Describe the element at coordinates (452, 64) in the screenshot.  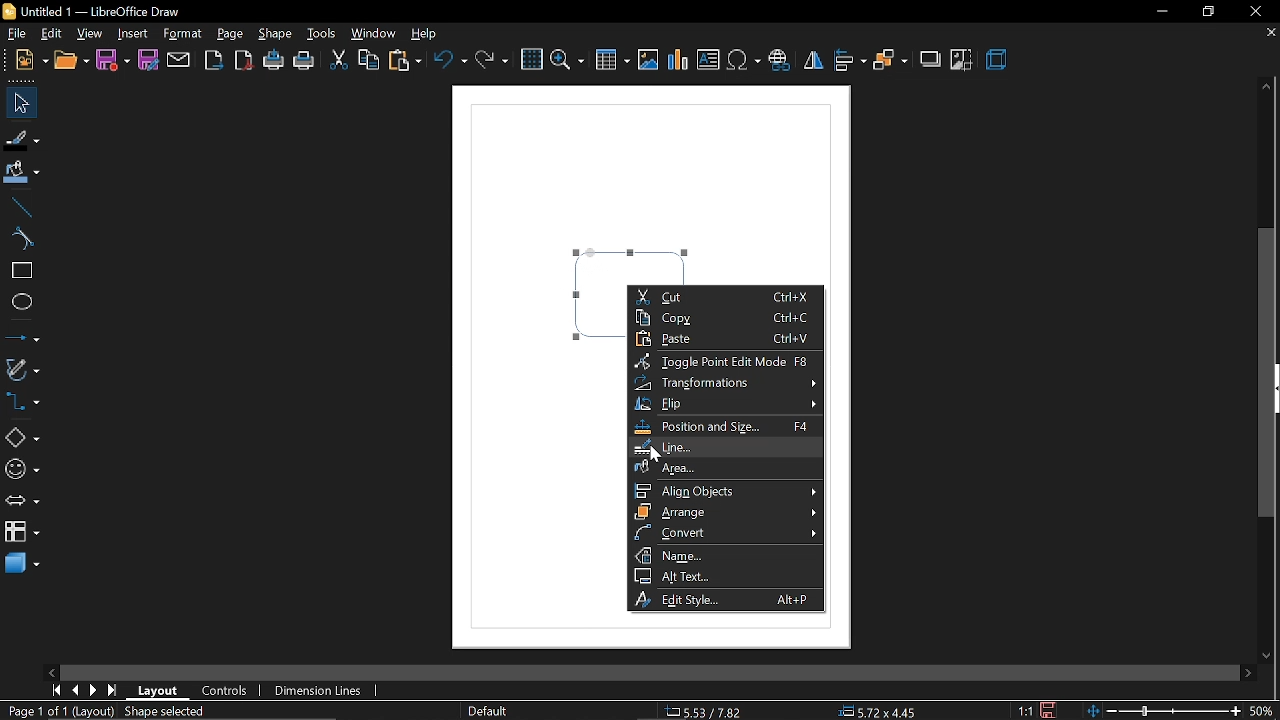
I see `undo` at that location.